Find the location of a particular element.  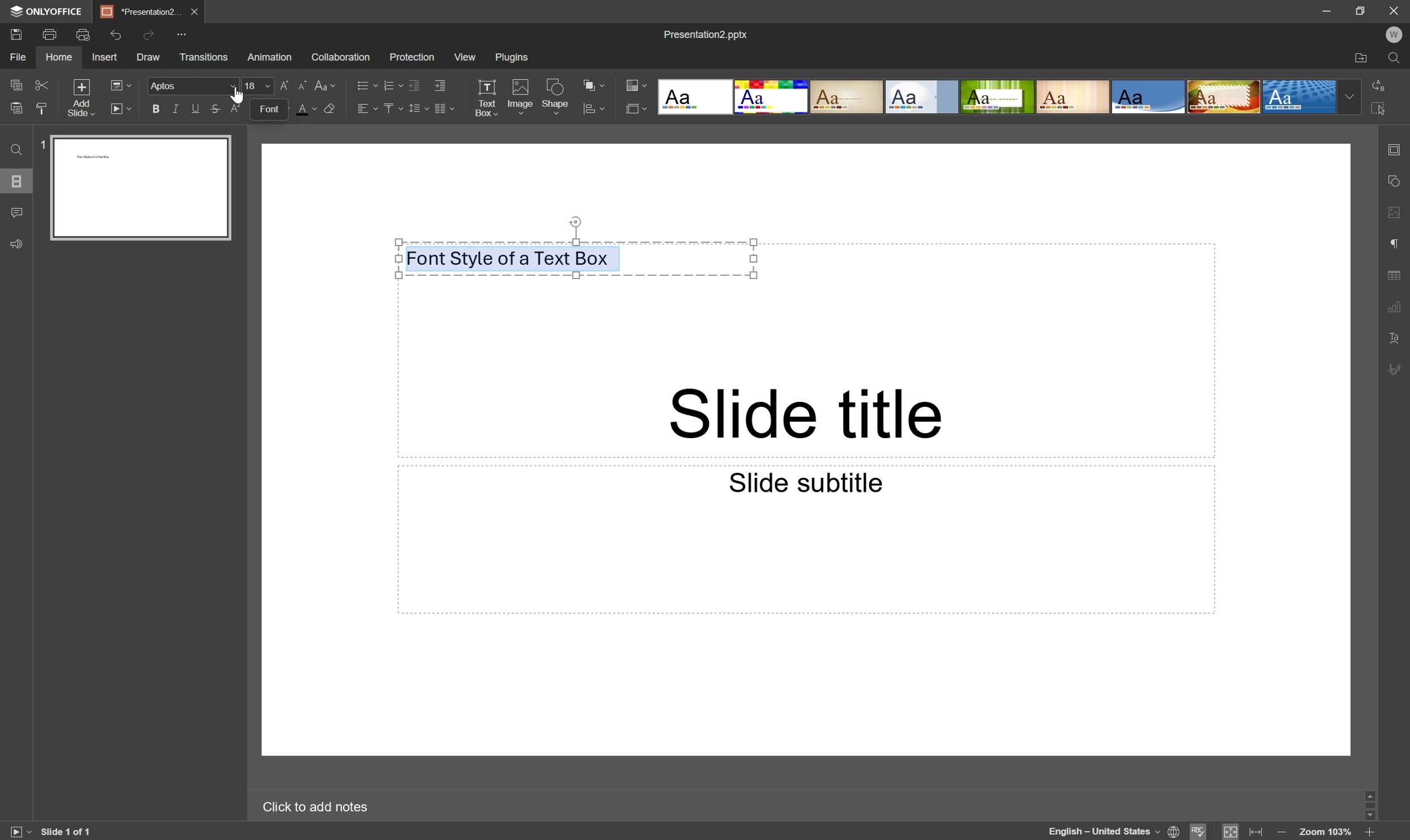

Underline is located at coordinates (196, 107).